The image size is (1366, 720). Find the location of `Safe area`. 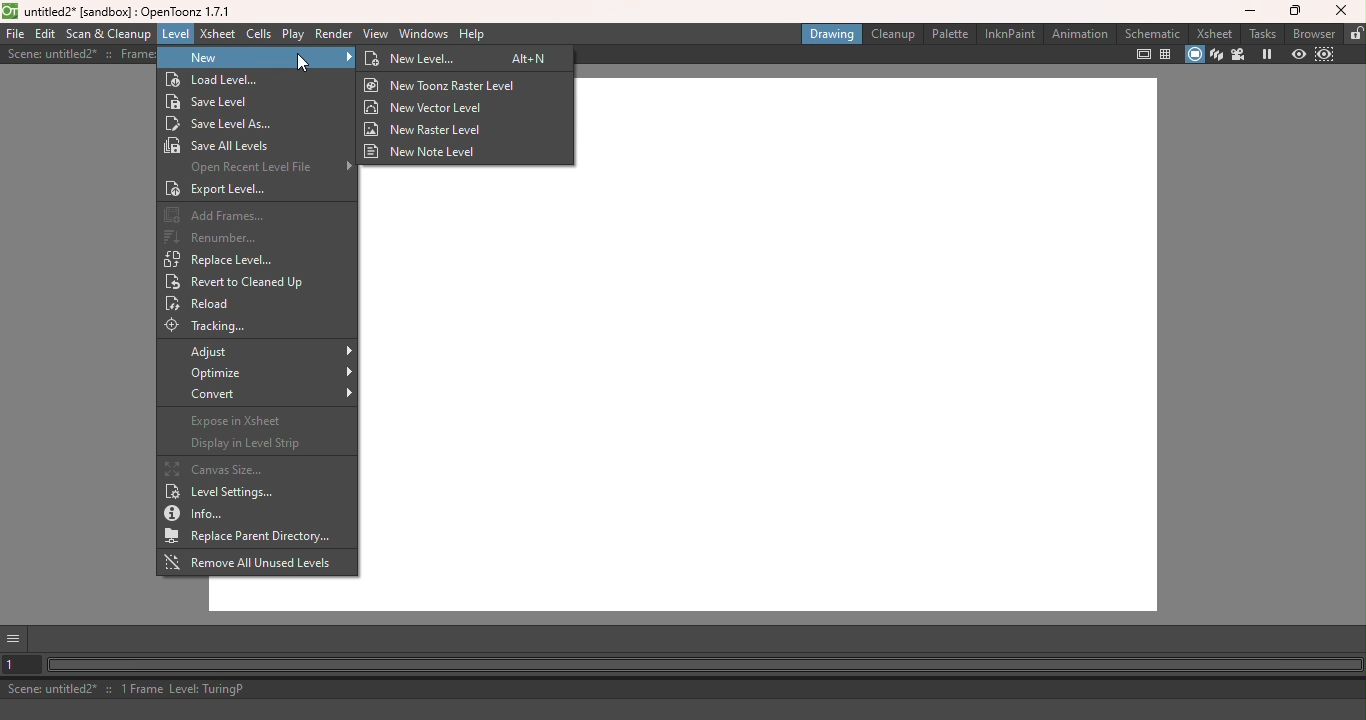

Safe area is located at coordinates (1142, 54).